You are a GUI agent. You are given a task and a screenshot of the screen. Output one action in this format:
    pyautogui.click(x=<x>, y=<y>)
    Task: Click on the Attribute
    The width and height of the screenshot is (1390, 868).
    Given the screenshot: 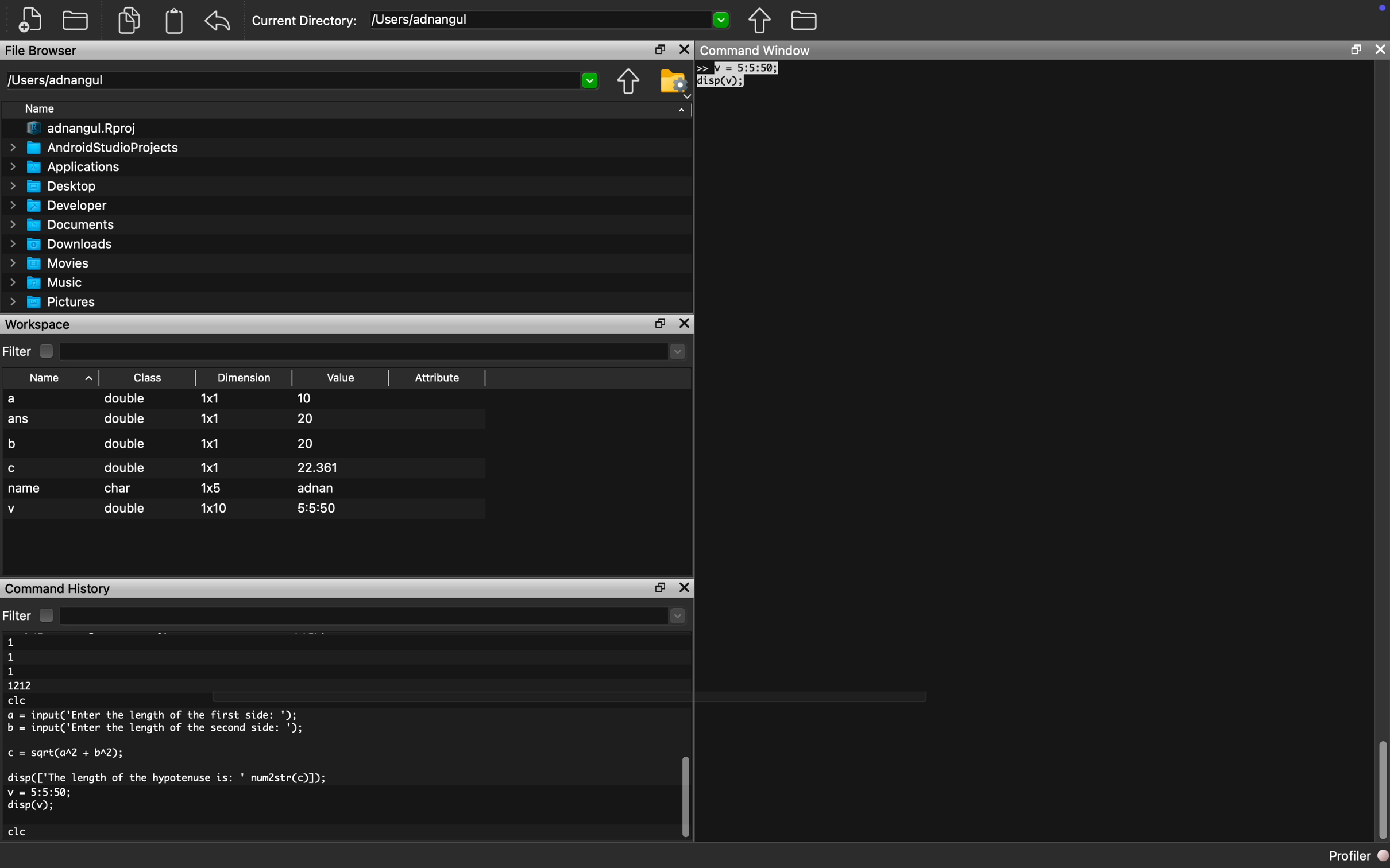 What is the action you would take?
    pyautogui.click(x=436, y=377)
    